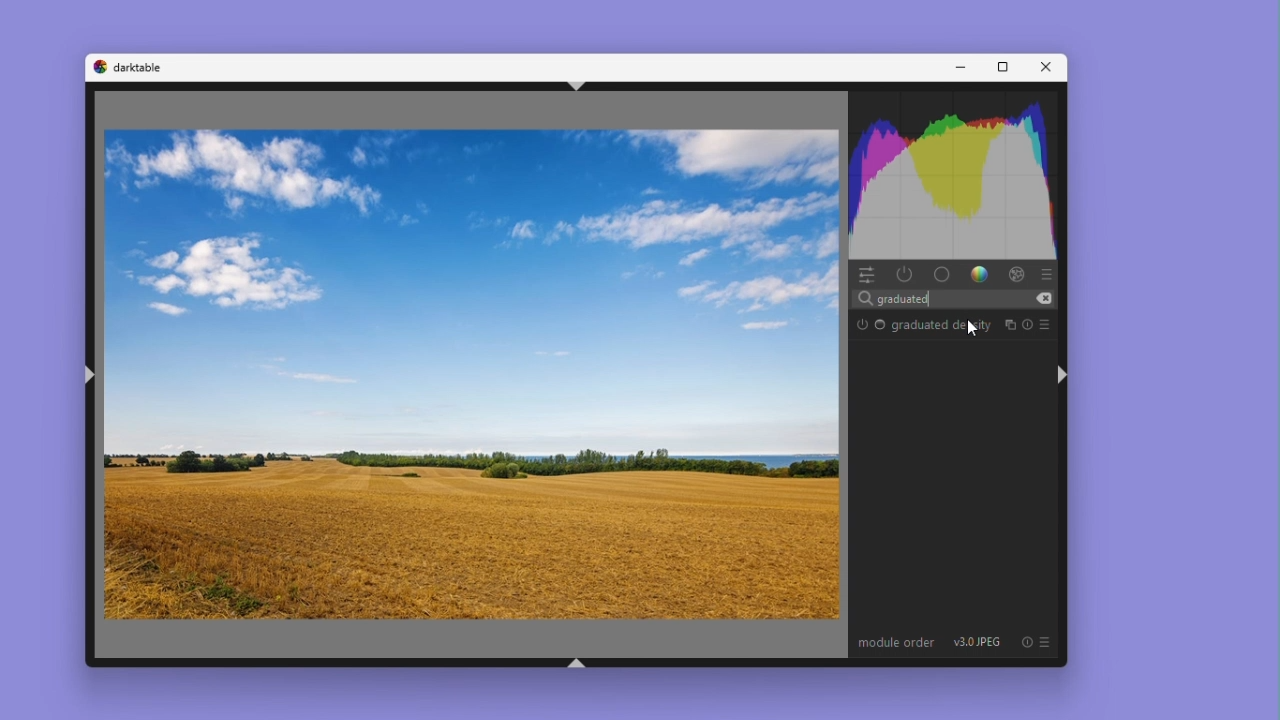 This screenshot has height=720, width=1280. Describe the element at coordinates (941, 327) in the screenshot. I see `graduated density` at that location.